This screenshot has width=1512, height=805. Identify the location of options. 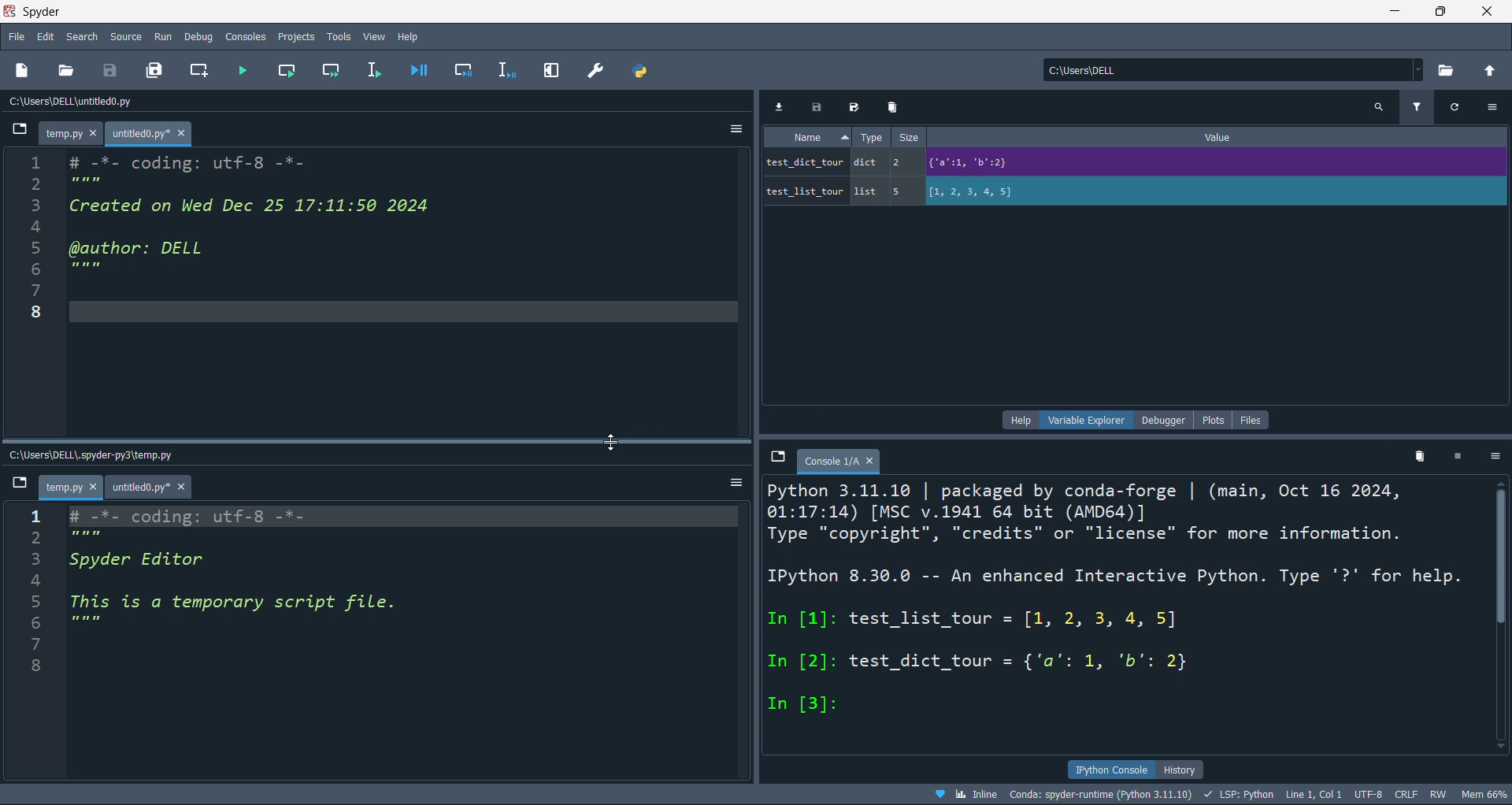
(734, 480).